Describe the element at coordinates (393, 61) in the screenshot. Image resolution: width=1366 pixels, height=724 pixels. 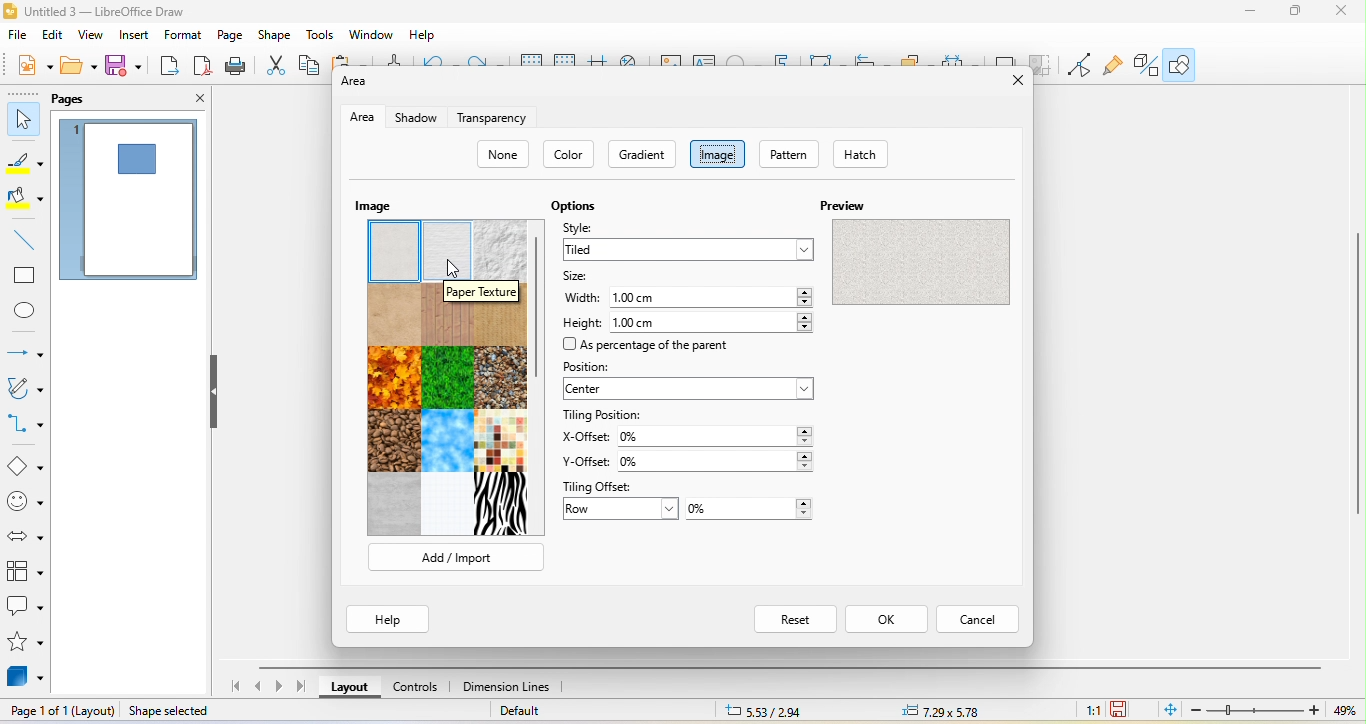
I see `clone formatting` at that location.